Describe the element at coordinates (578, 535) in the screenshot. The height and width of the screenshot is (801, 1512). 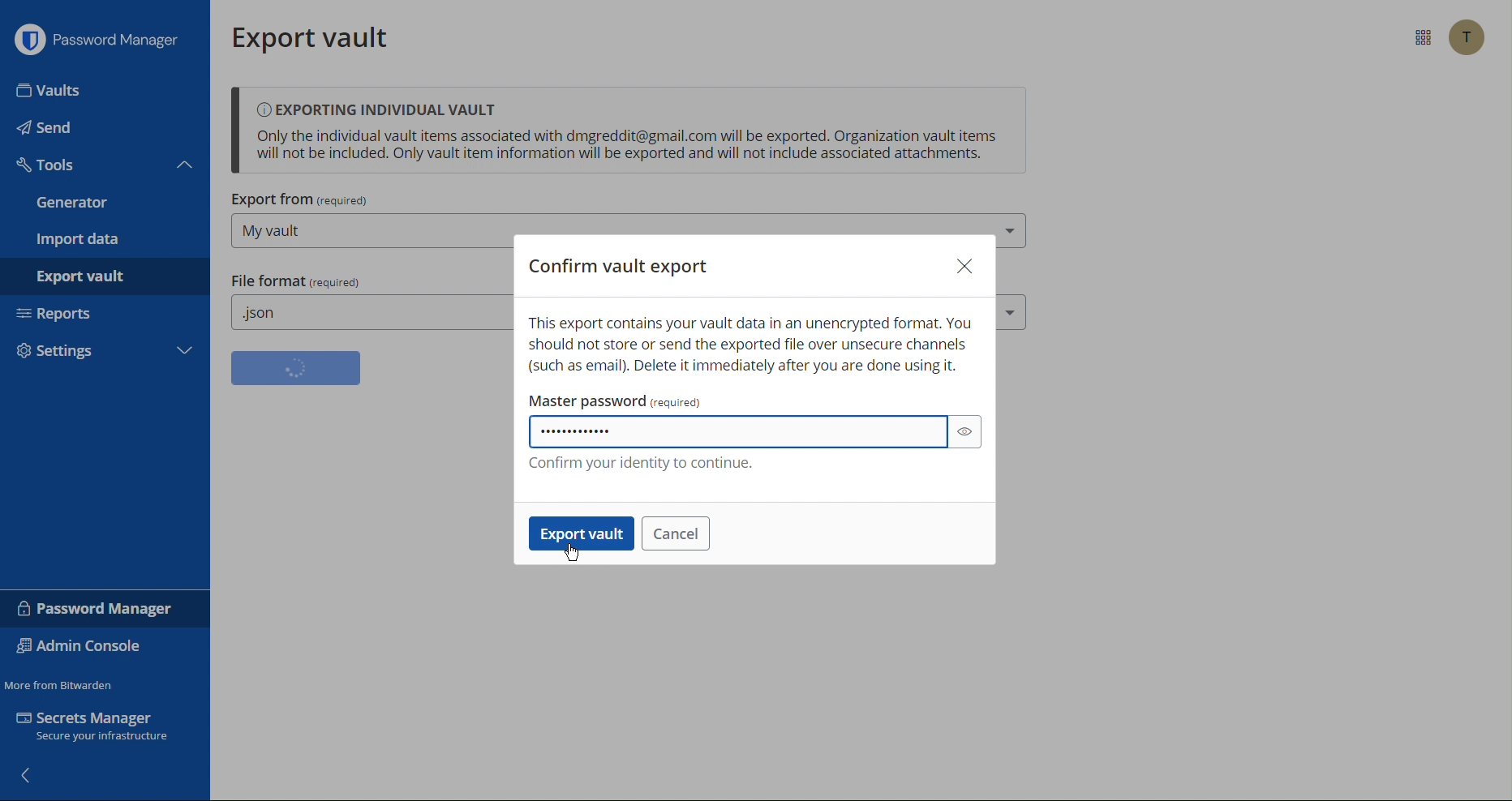
I see `Export vault` at that location.